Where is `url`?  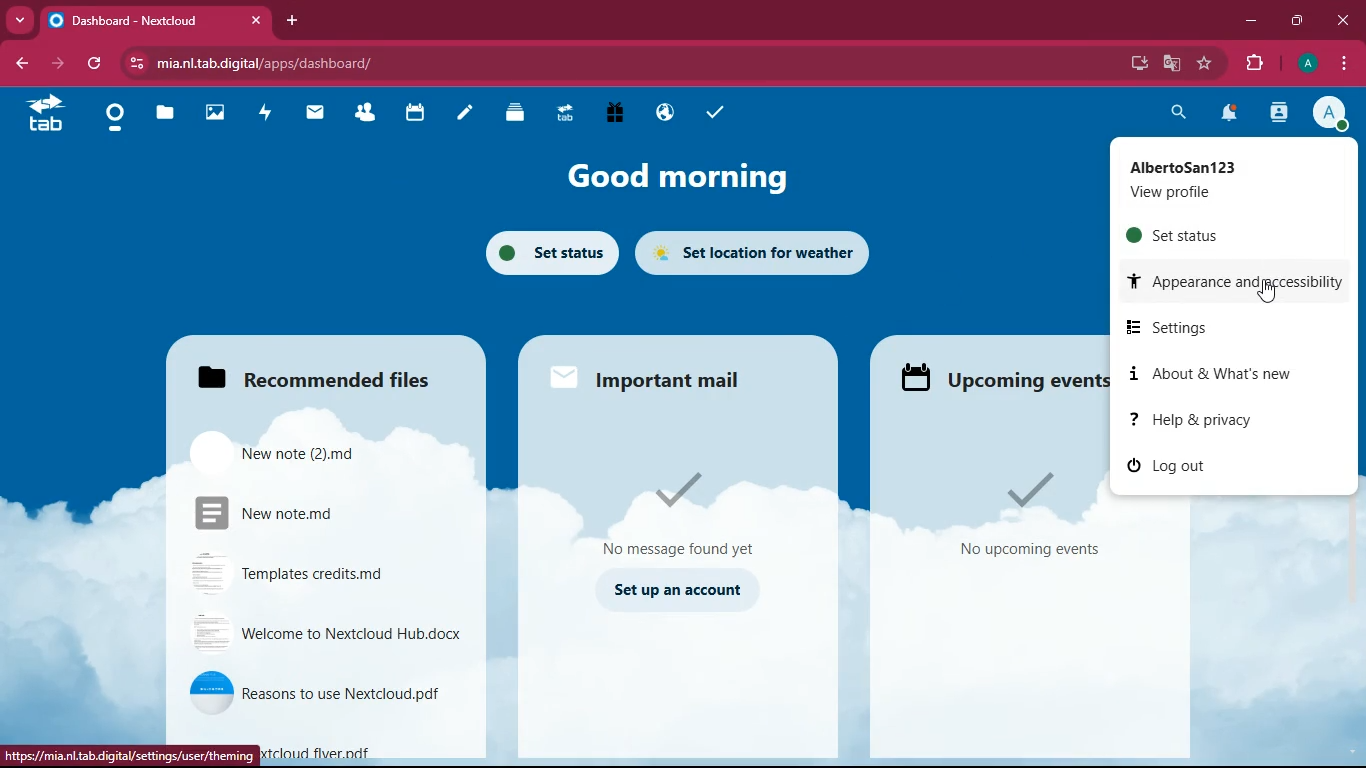
url is located at coordinates (310, 65).